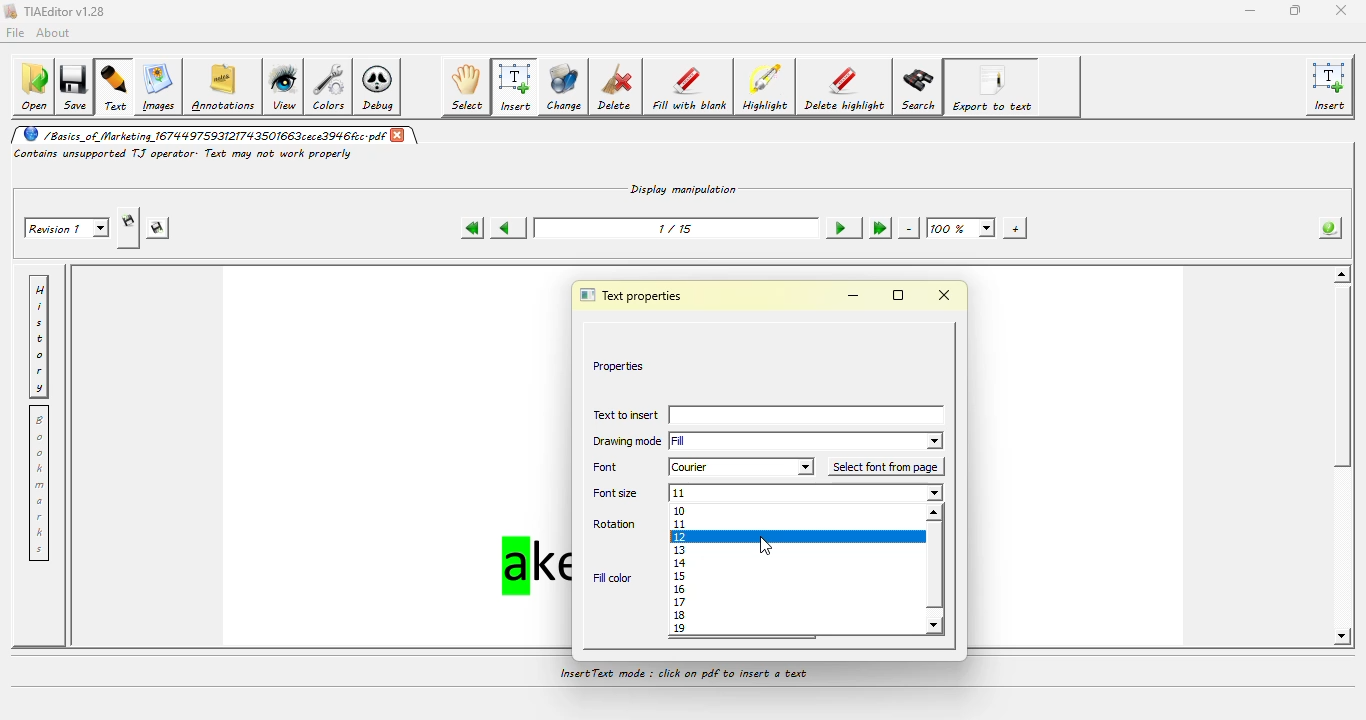  Describe the element at coordinates (961, 227) in the screenshot. I see `100%` at that location.